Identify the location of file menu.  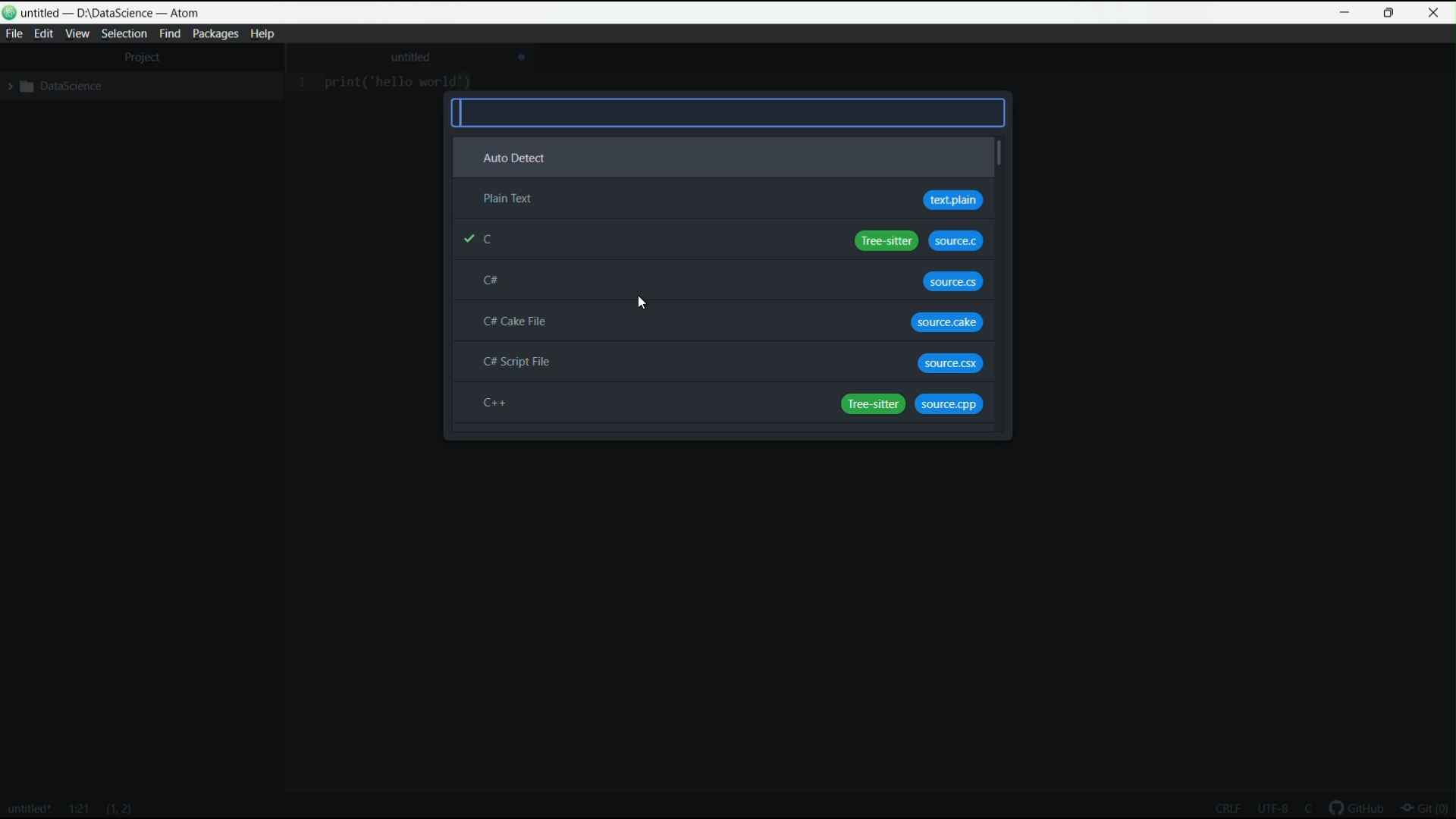
(14, 34).